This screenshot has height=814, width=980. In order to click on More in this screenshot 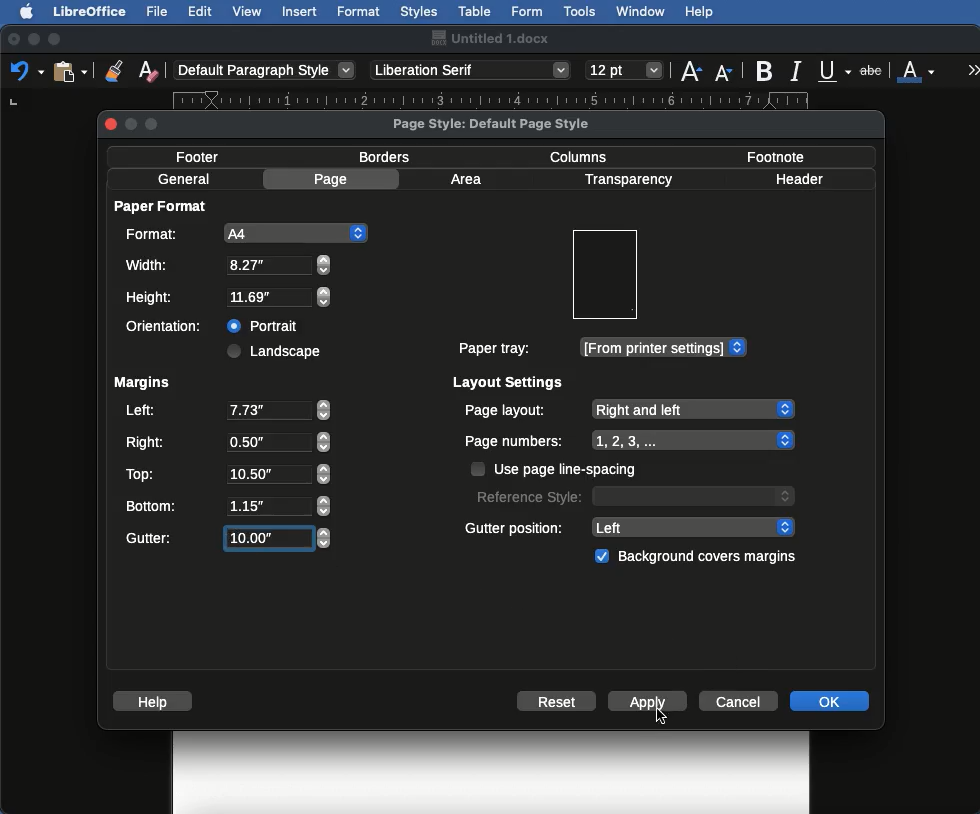, I will do `click(974, 69)`.